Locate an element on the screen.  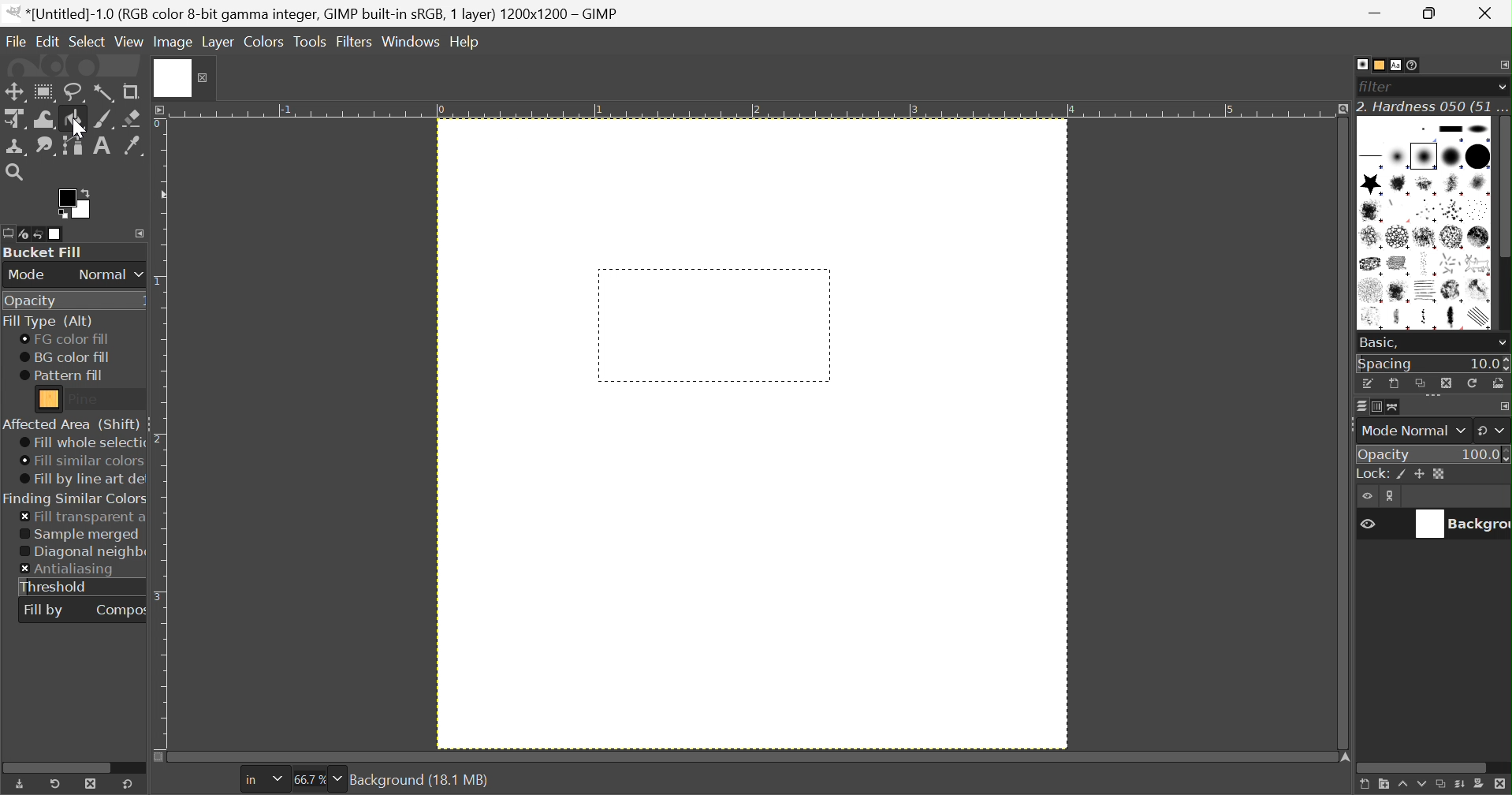
Oils is located at coordinates (1451, 291).